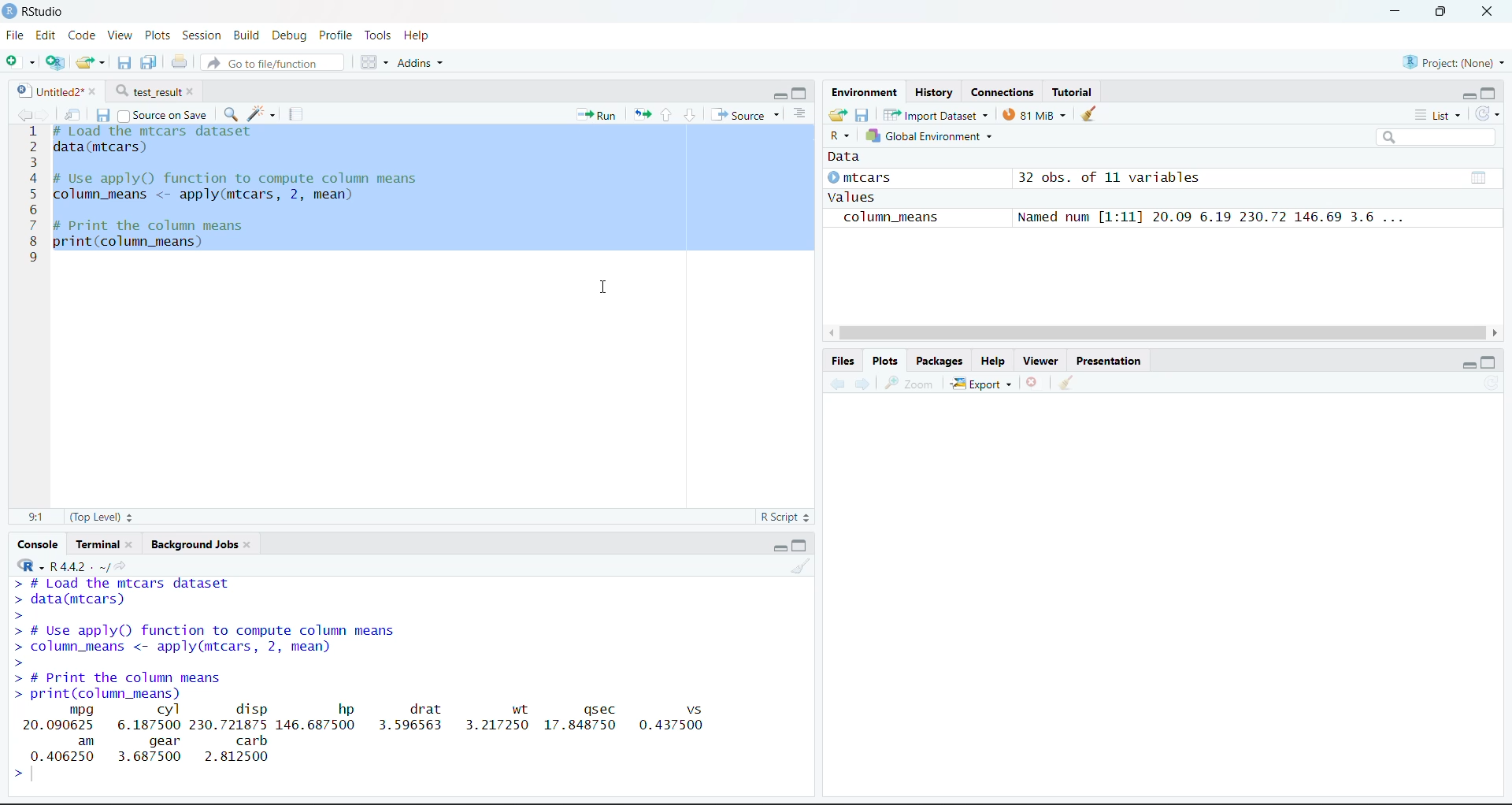  I want to click on Minimize, so click(777, 95).